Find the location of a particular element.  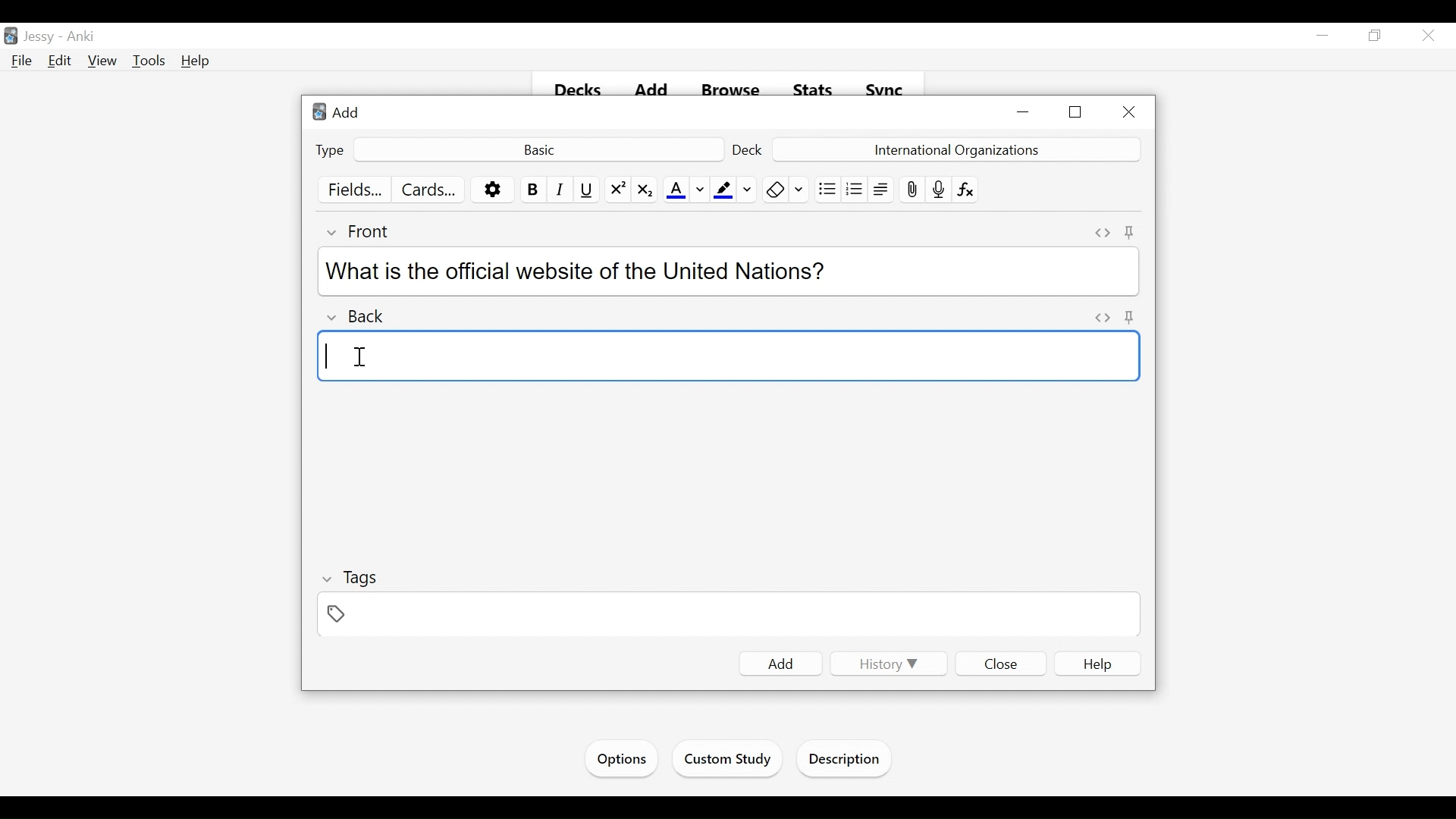

History is located at coordinates (886, 666).